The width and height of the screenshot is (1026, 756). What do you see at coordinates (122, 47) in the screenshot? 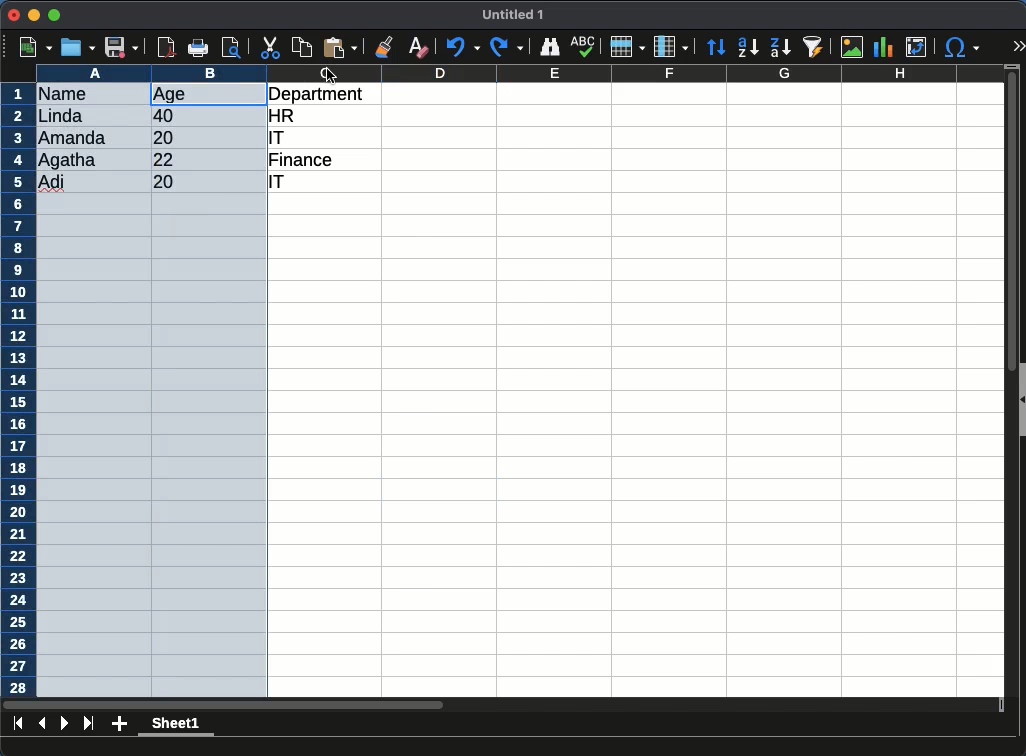
I see `save` at bounding box center [122, 47].